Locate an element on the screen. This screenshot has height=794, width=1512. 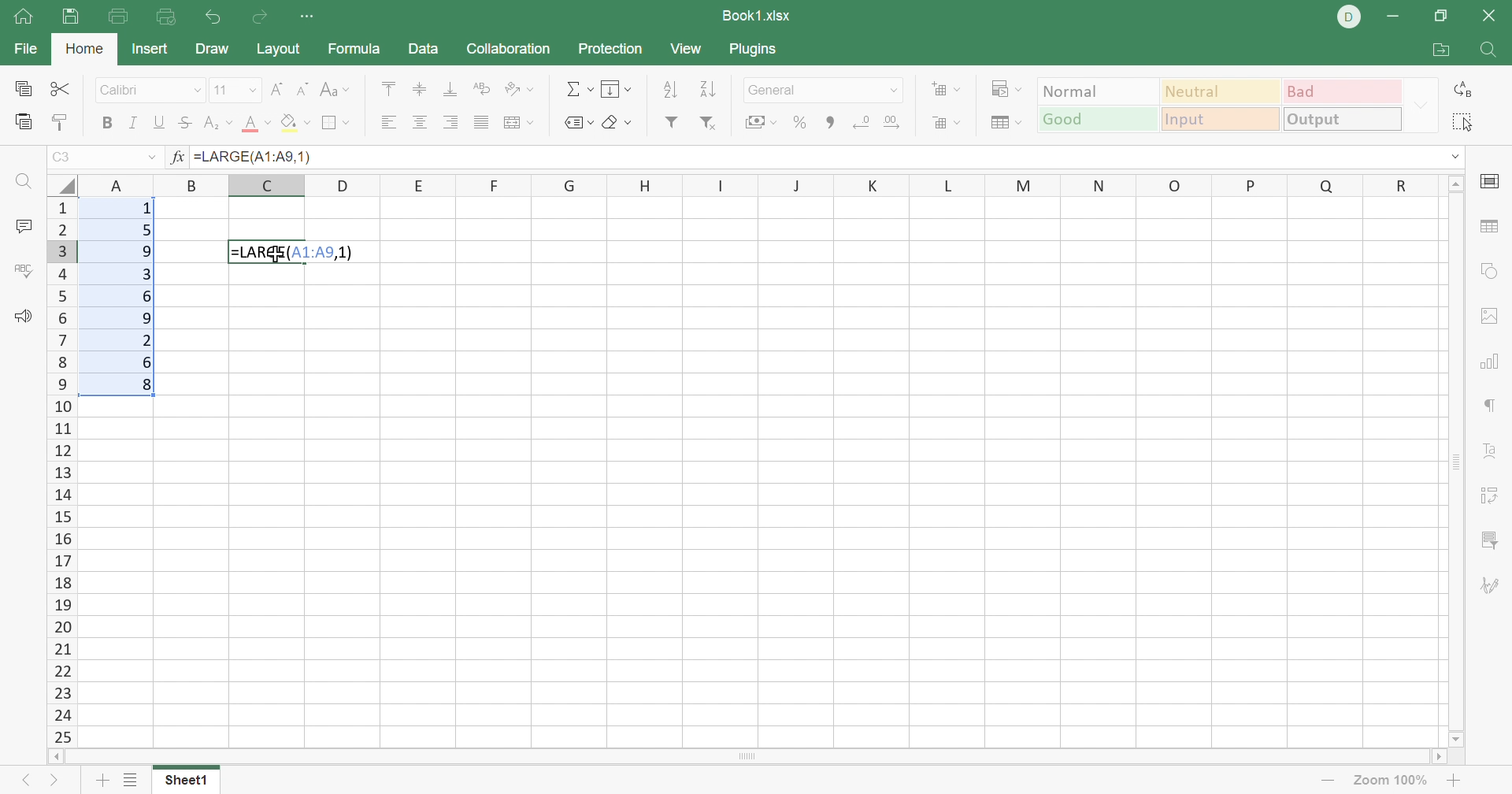
Plugins is located at coordinates (753, 47).